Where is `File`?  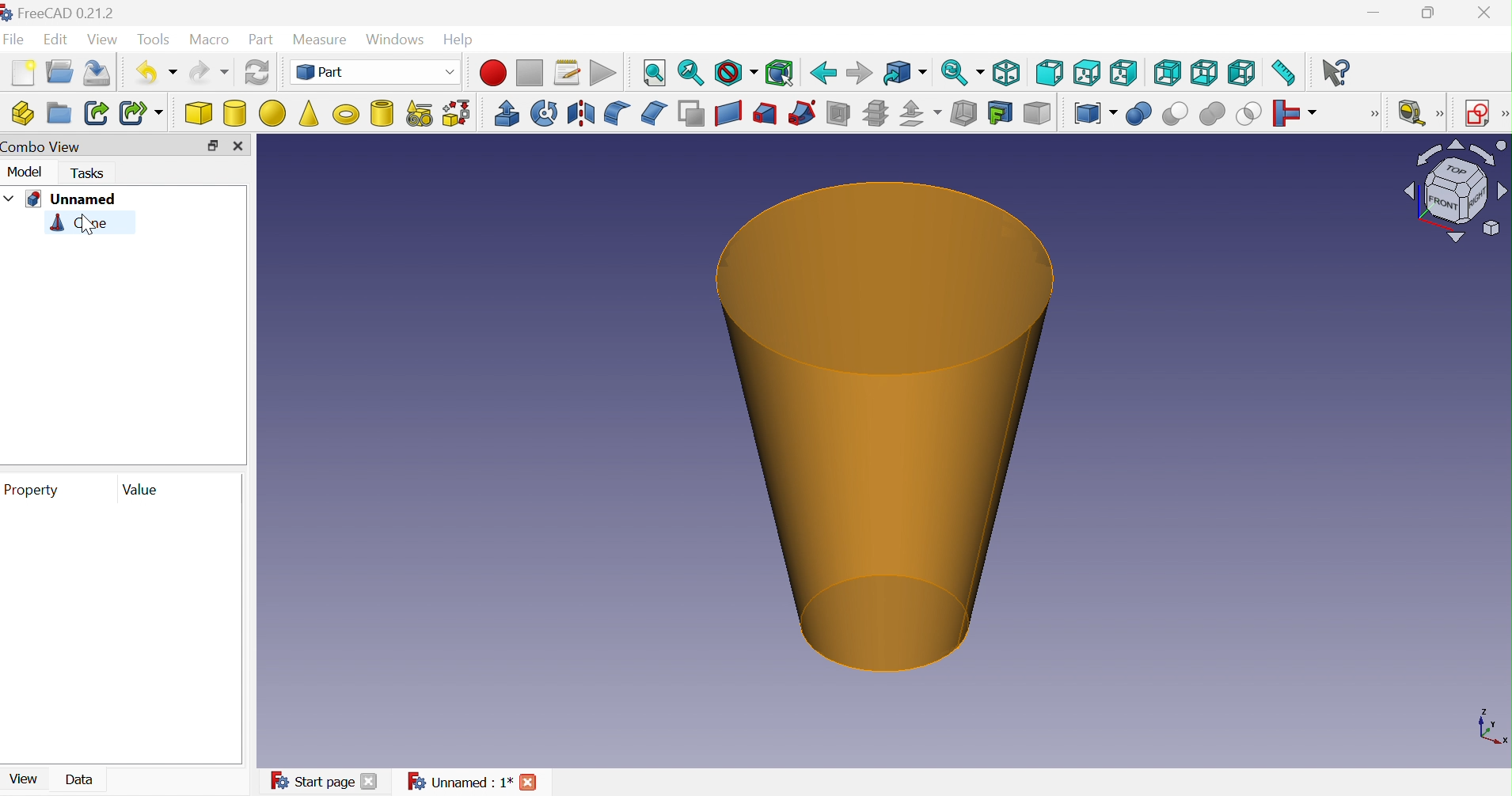
File is located at coordinates (14, 40).